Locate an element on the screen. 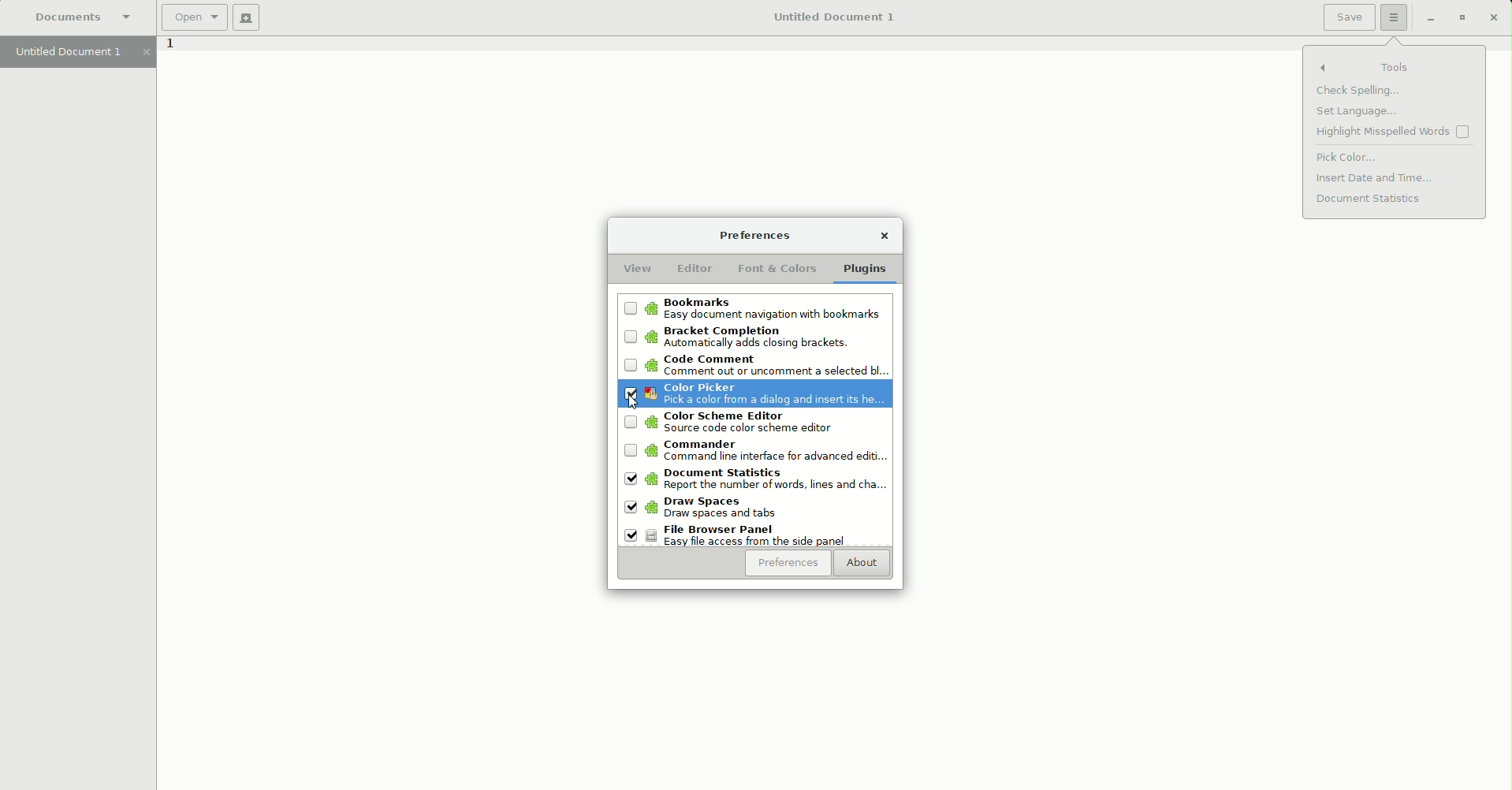  Commander: Command line interface for advanced ed... is located at coordinates (755, 453).